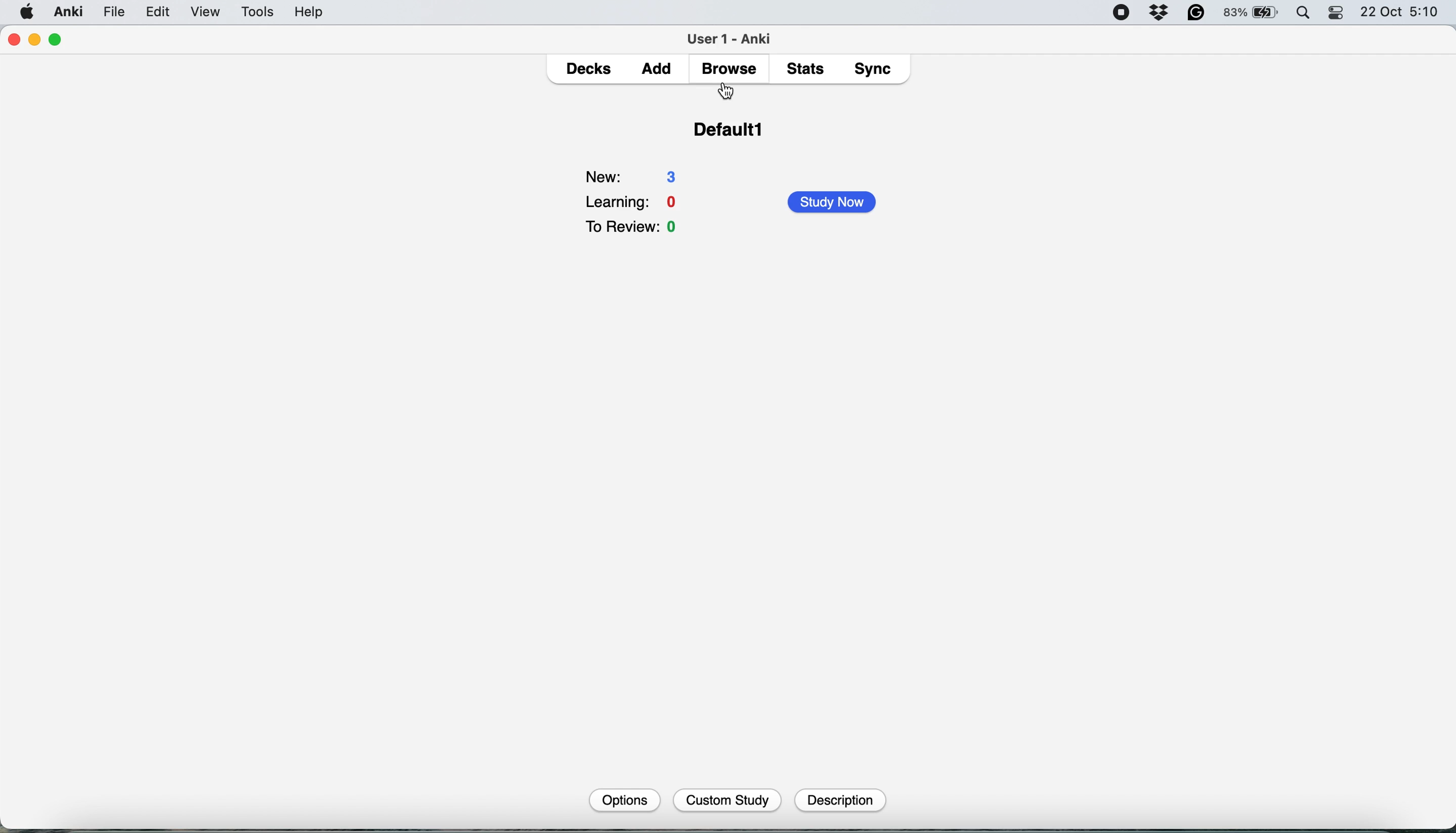 This screenshot has width=1456, height=833. Describe the element at coordinates (634, 173) in the screenshot. I see `New: 3` at that location.